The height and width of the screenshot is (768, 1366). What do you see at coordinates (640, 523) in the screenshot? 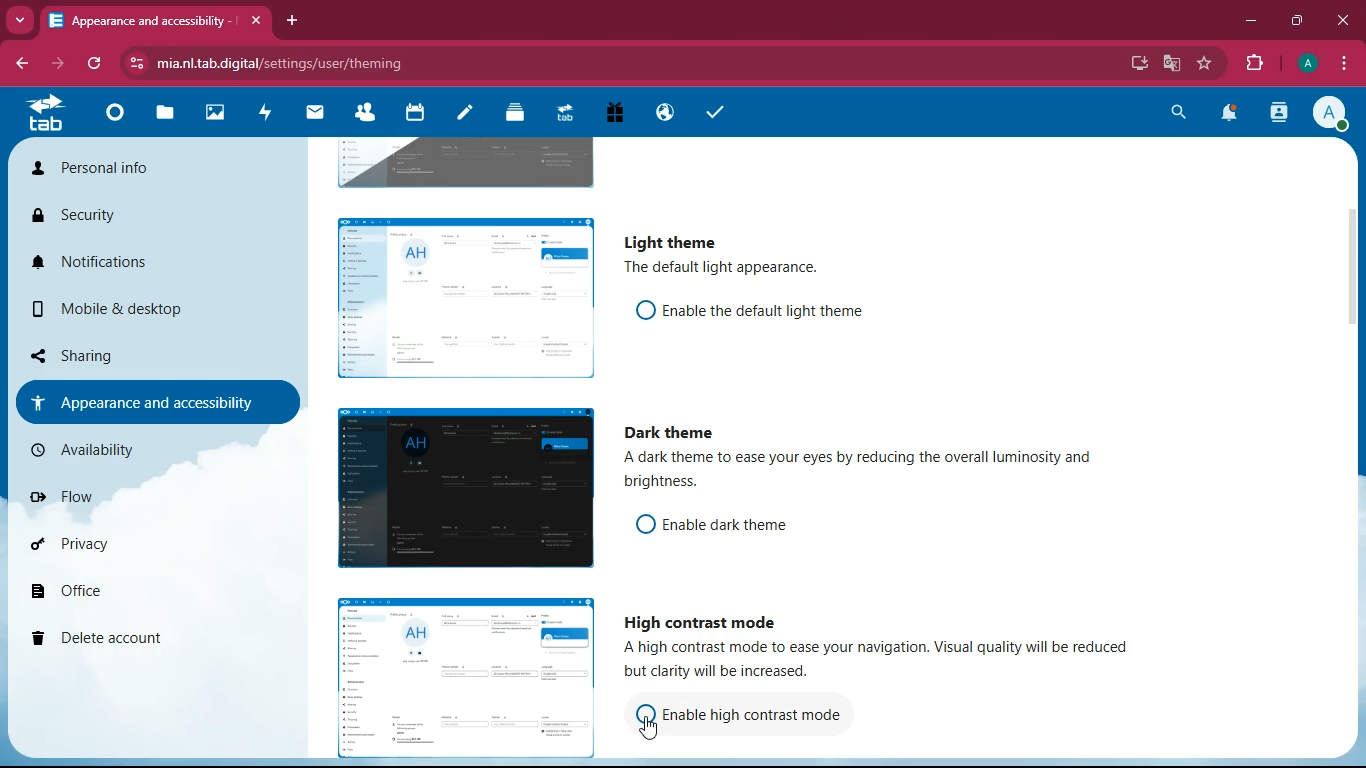
I see `on/off button` at bounding box center [640, 523].